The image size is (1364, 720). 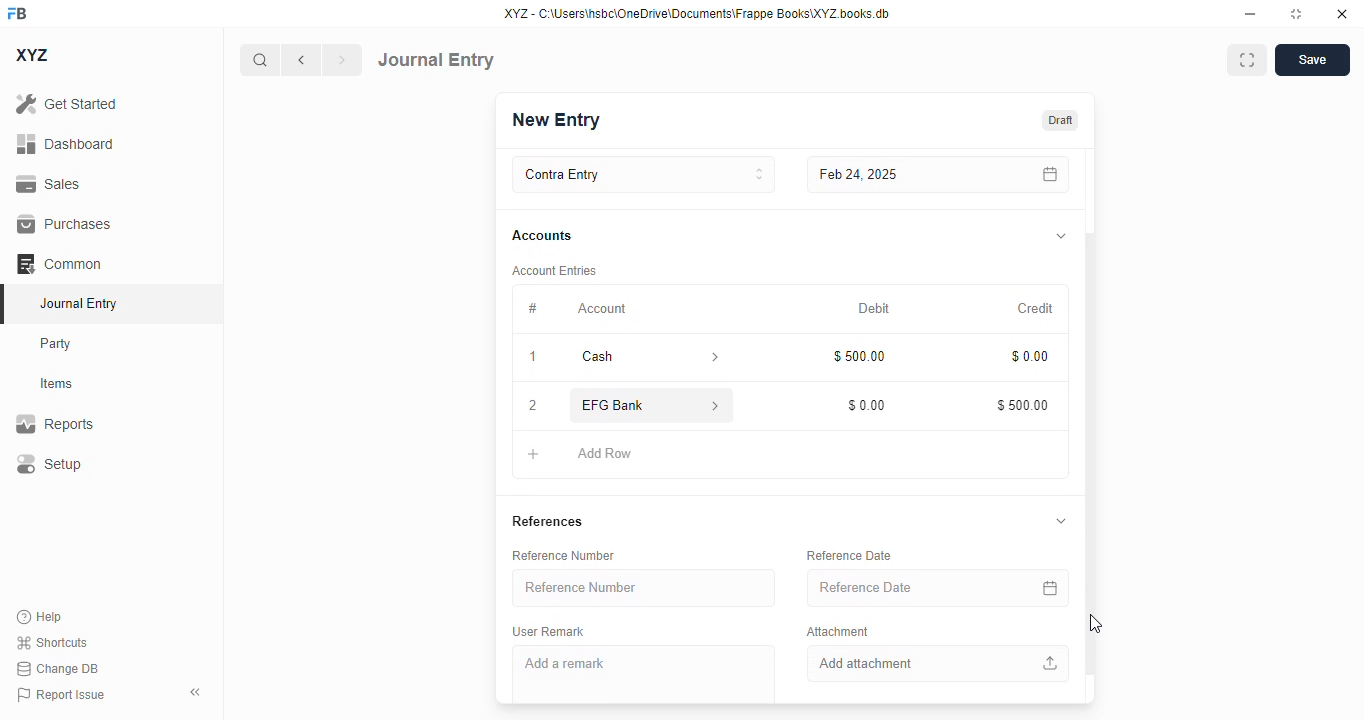 What do you see at coordinates (1090, 426) in the screenshot?
I see `vertical scroll bar` at bounding box center [1090, 426].